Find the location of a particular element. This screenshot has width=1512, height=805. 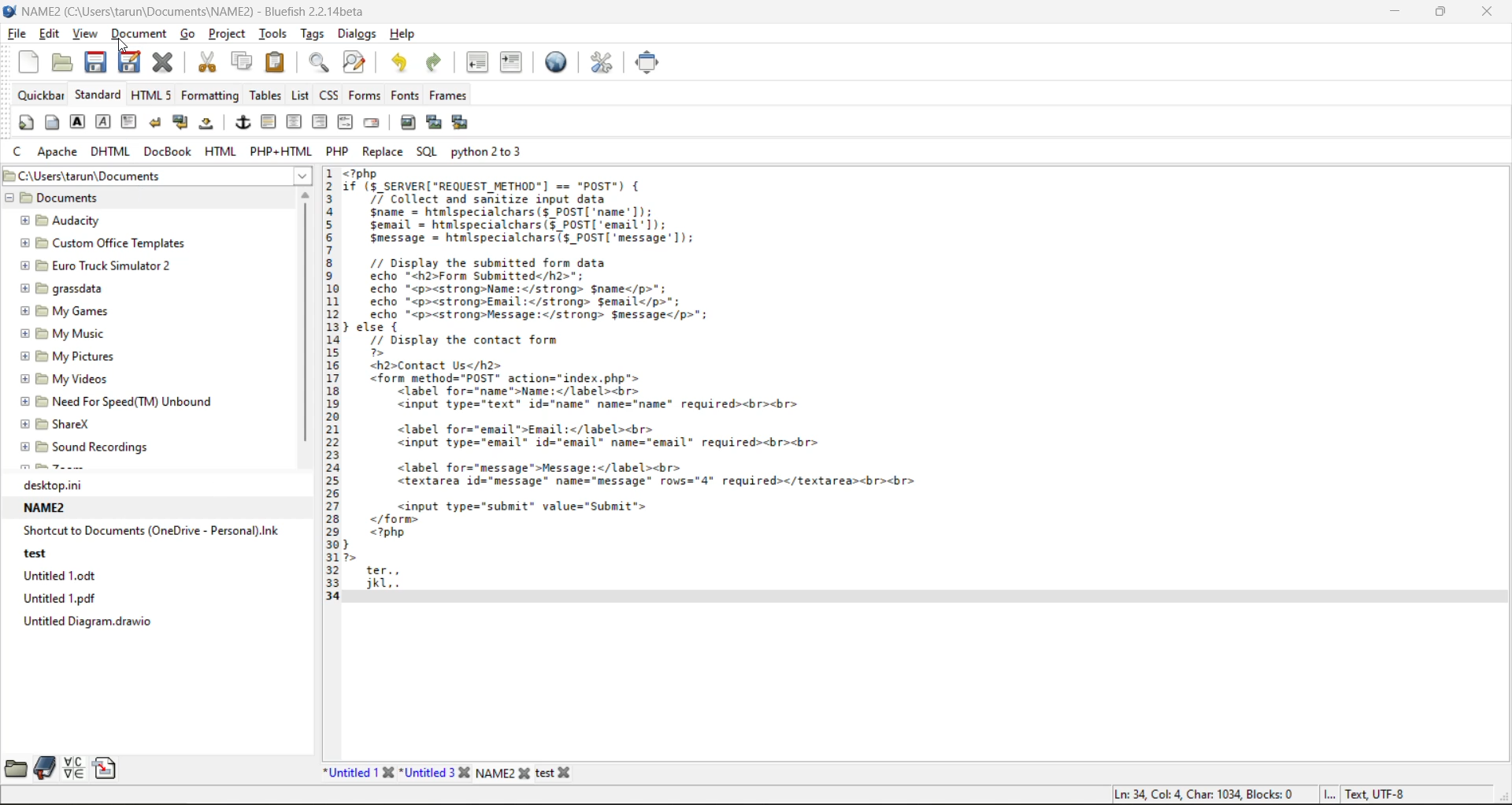

close is located at coordinates (1487, 13).